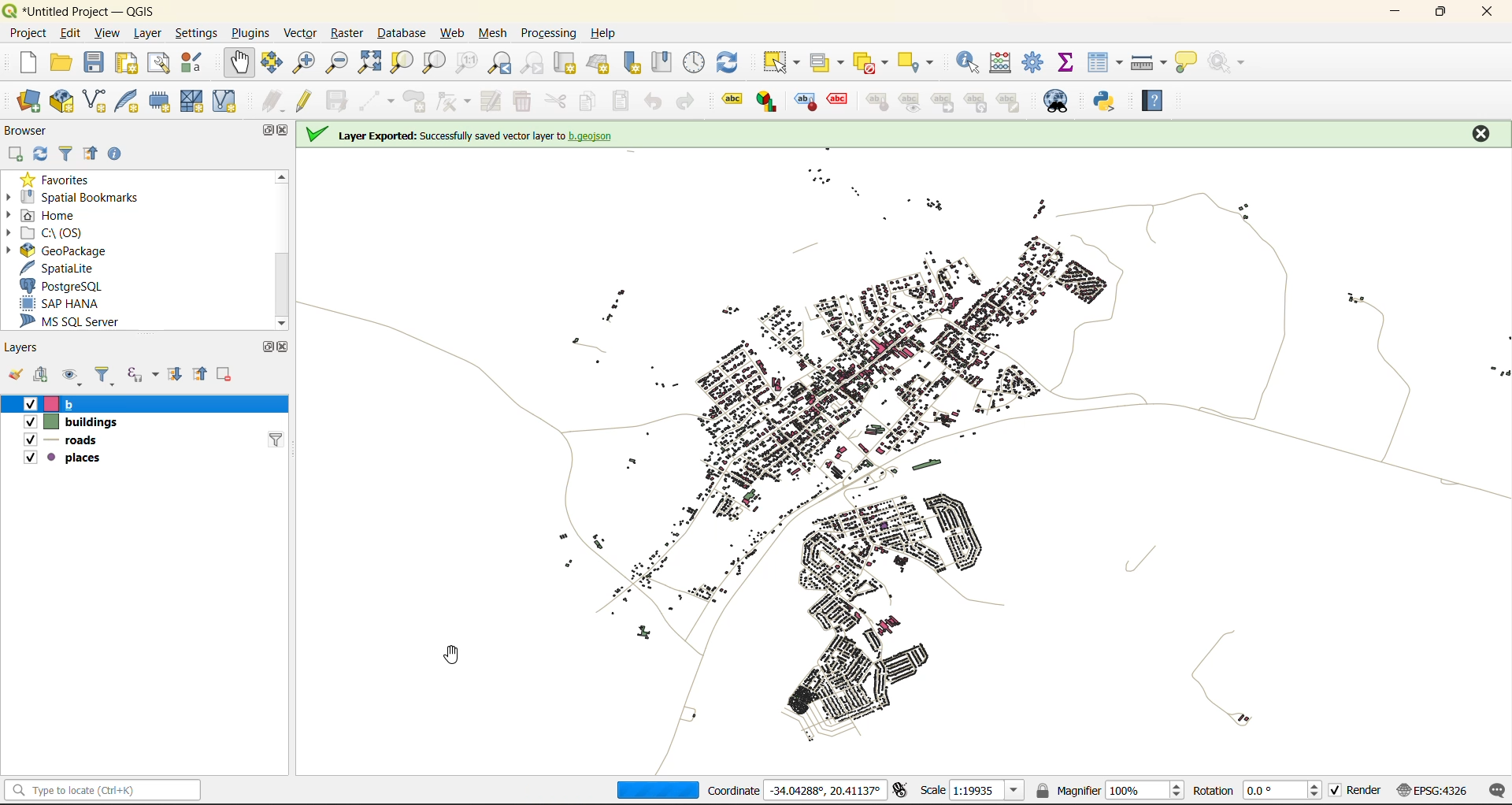 The height and width of the screenshot is (805, 1512). Describe the element at coordinates (732, 102) in the screenshot. I see `Layer labeling ` at that location.